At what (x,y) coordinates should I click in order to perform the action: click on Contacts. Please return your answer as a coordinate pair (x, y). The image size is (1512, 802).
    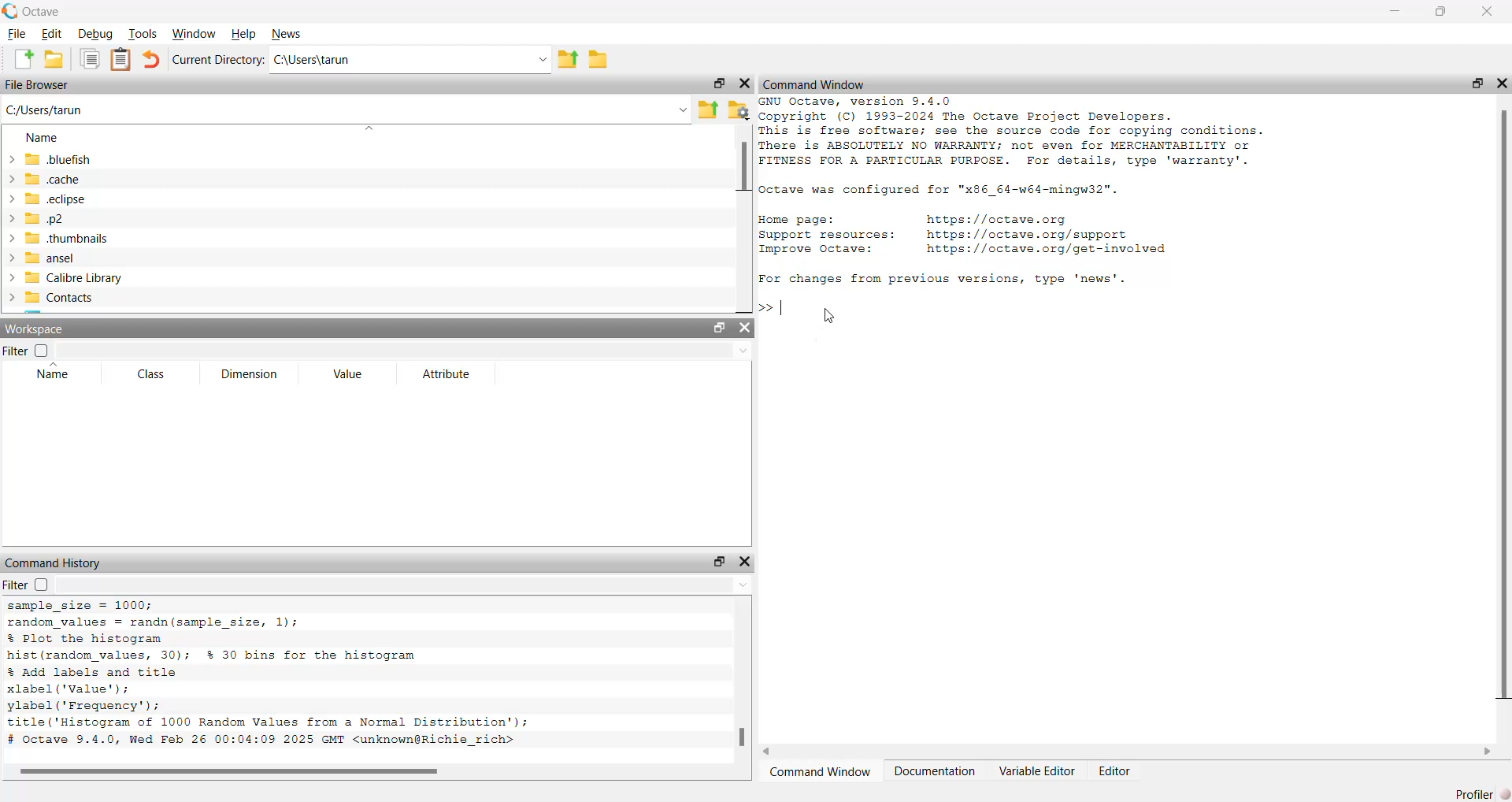
    Looking at the image, I should click on (51, 297).